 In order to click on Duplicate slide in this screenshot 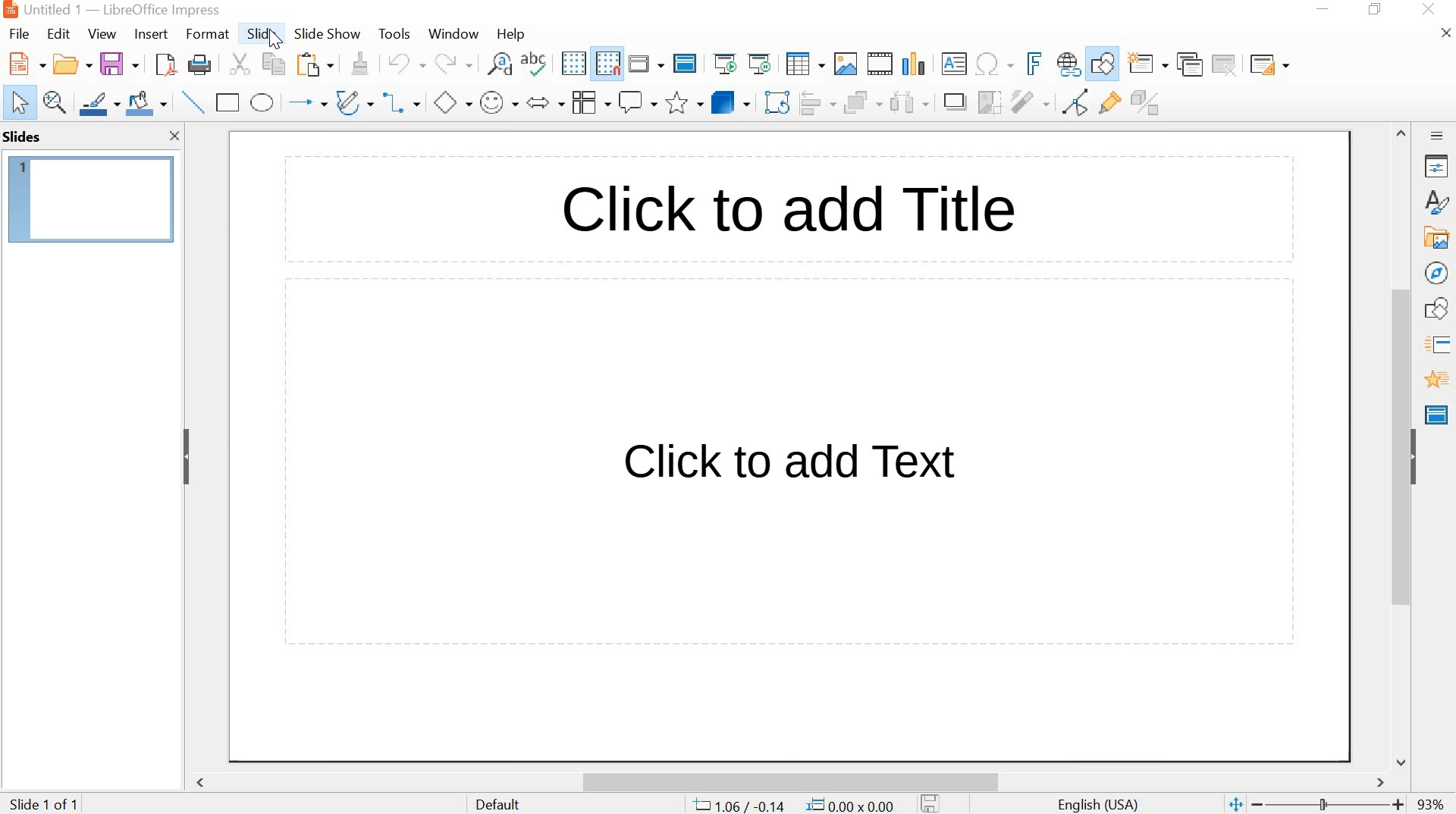, I will do `click(1191, 64)`.